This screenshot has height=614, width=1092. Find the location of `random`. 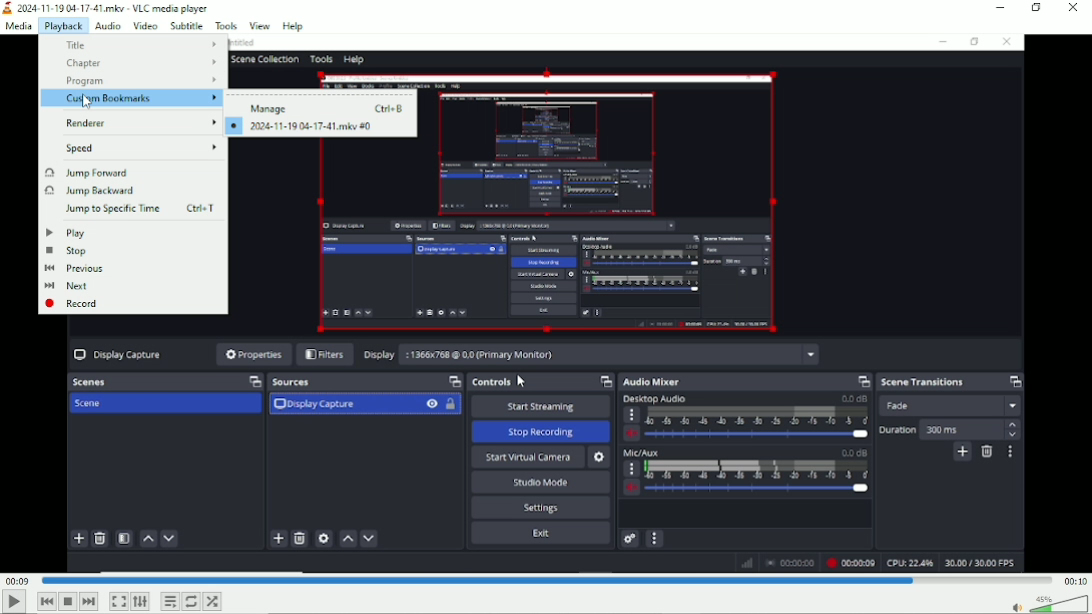

random is located at coordinates (212, 602).